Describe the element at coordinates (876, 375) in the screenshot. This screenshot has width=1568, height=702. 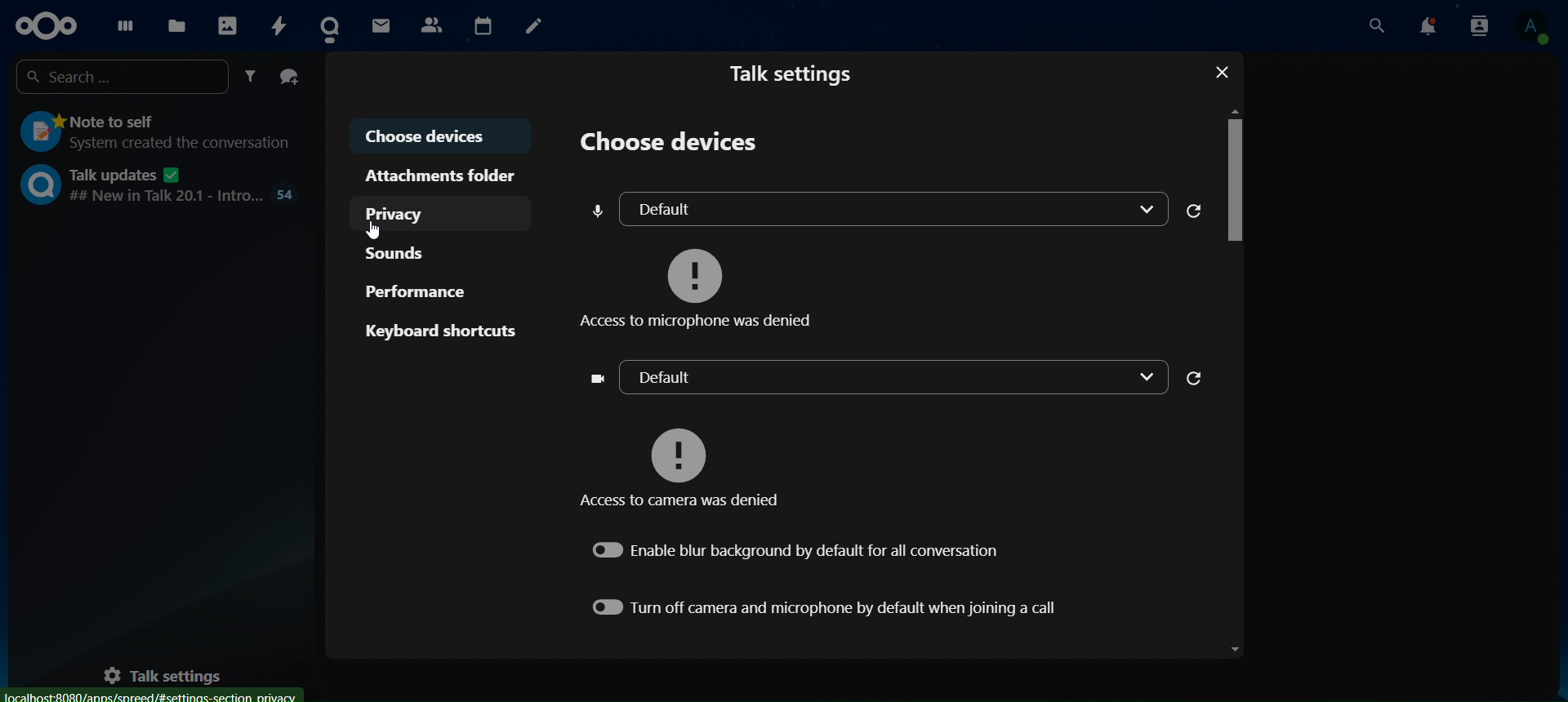
I see `default` at that location.